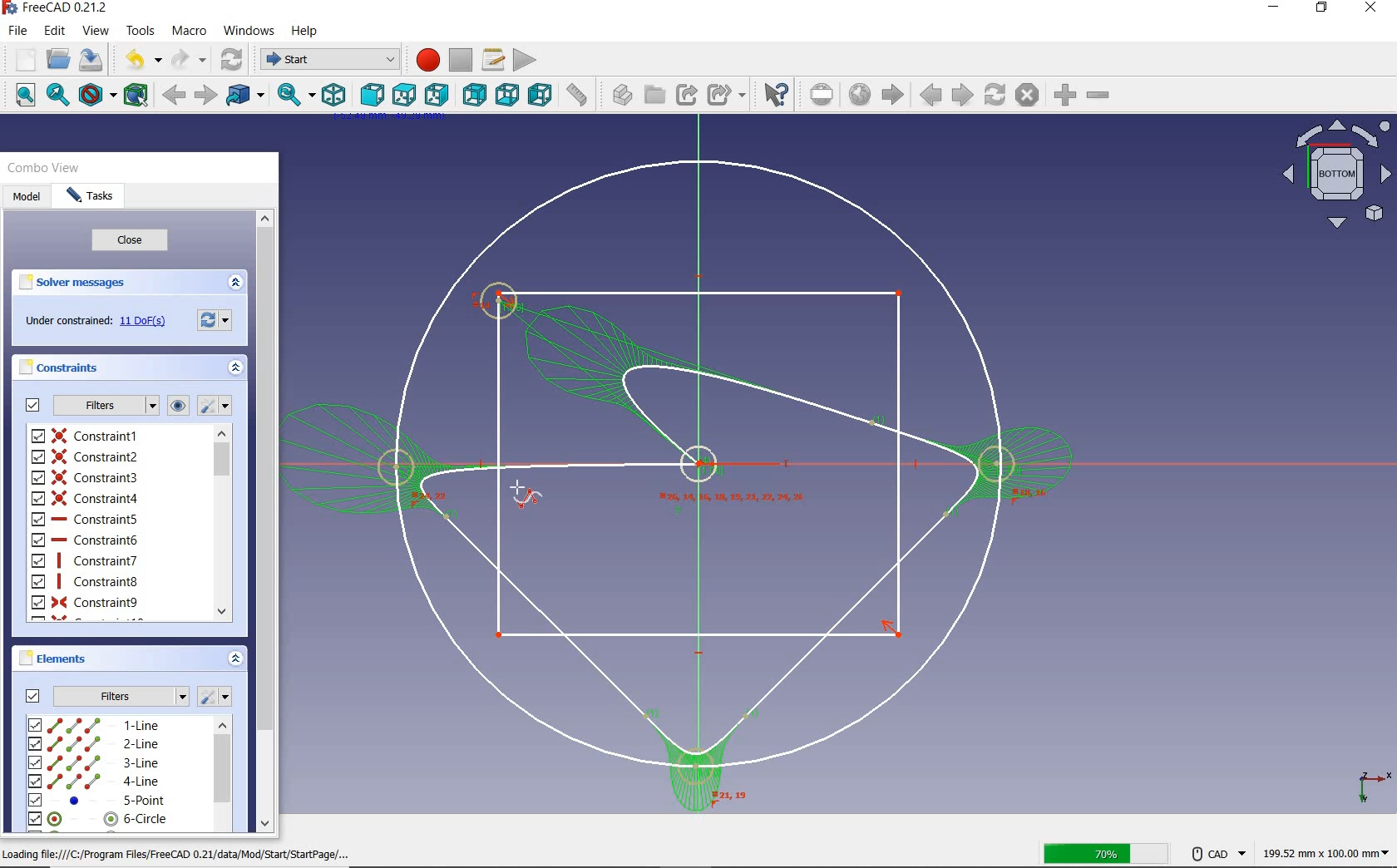 This screenshot has width=1397, height=868. What do you see at coordinates (775, 95) in the screenshot?
I see `what's this?` at bounding box center [775, 95].